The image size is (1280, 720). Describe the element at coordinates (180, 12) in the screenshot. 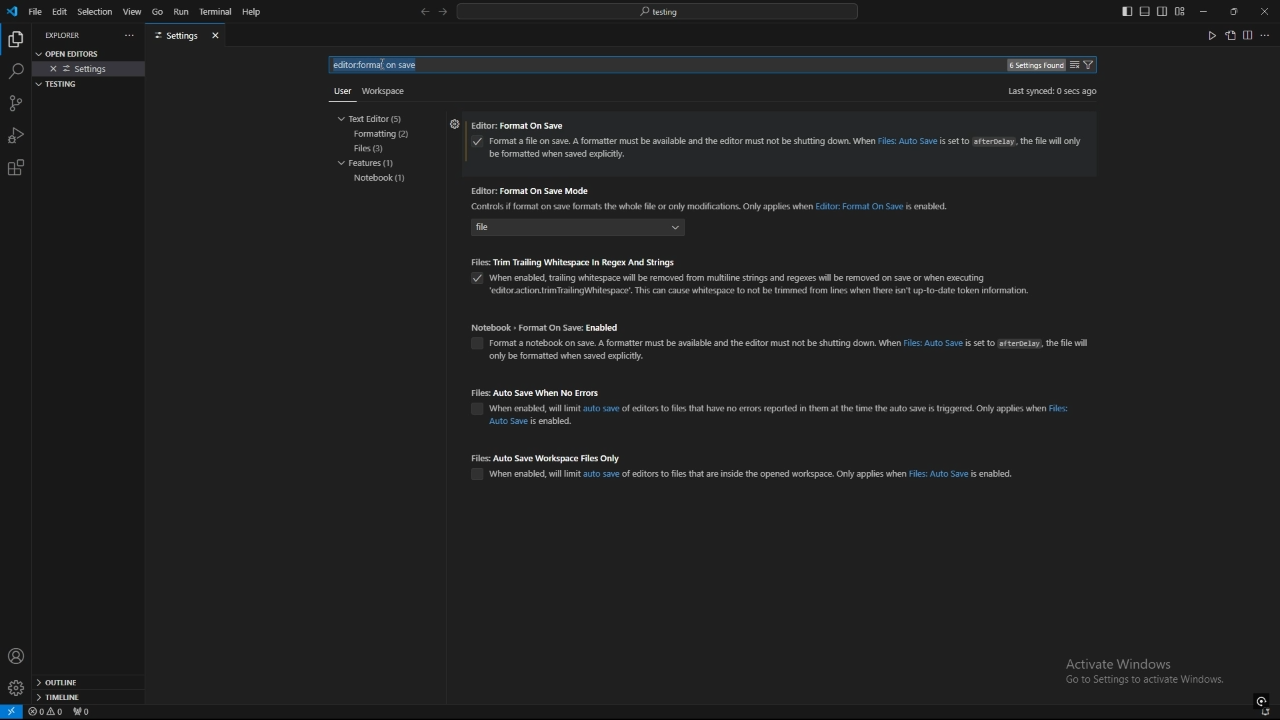

I see `run` at that location.